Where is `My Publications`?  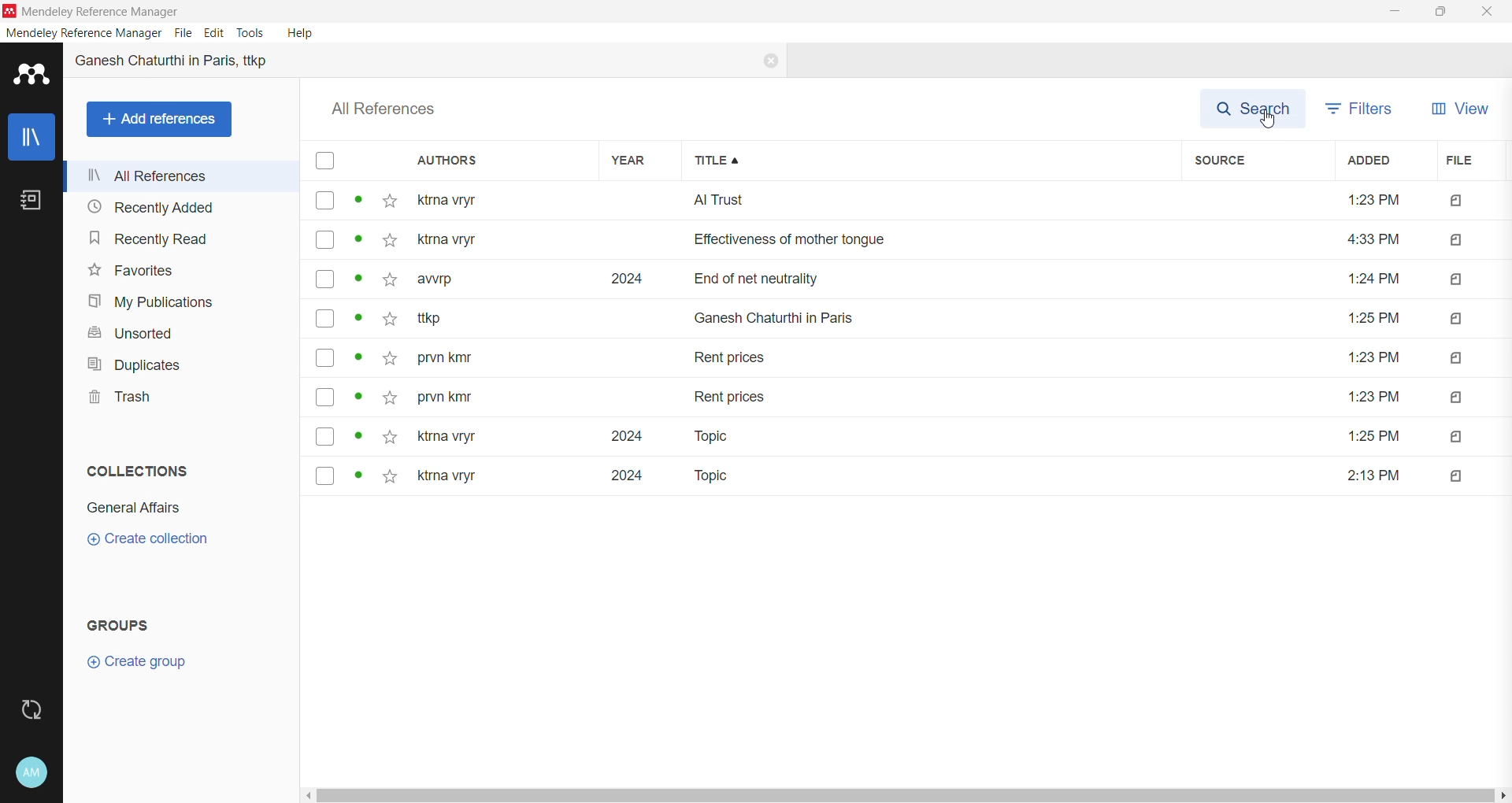
My Publications is located at coordinates (148, 303).